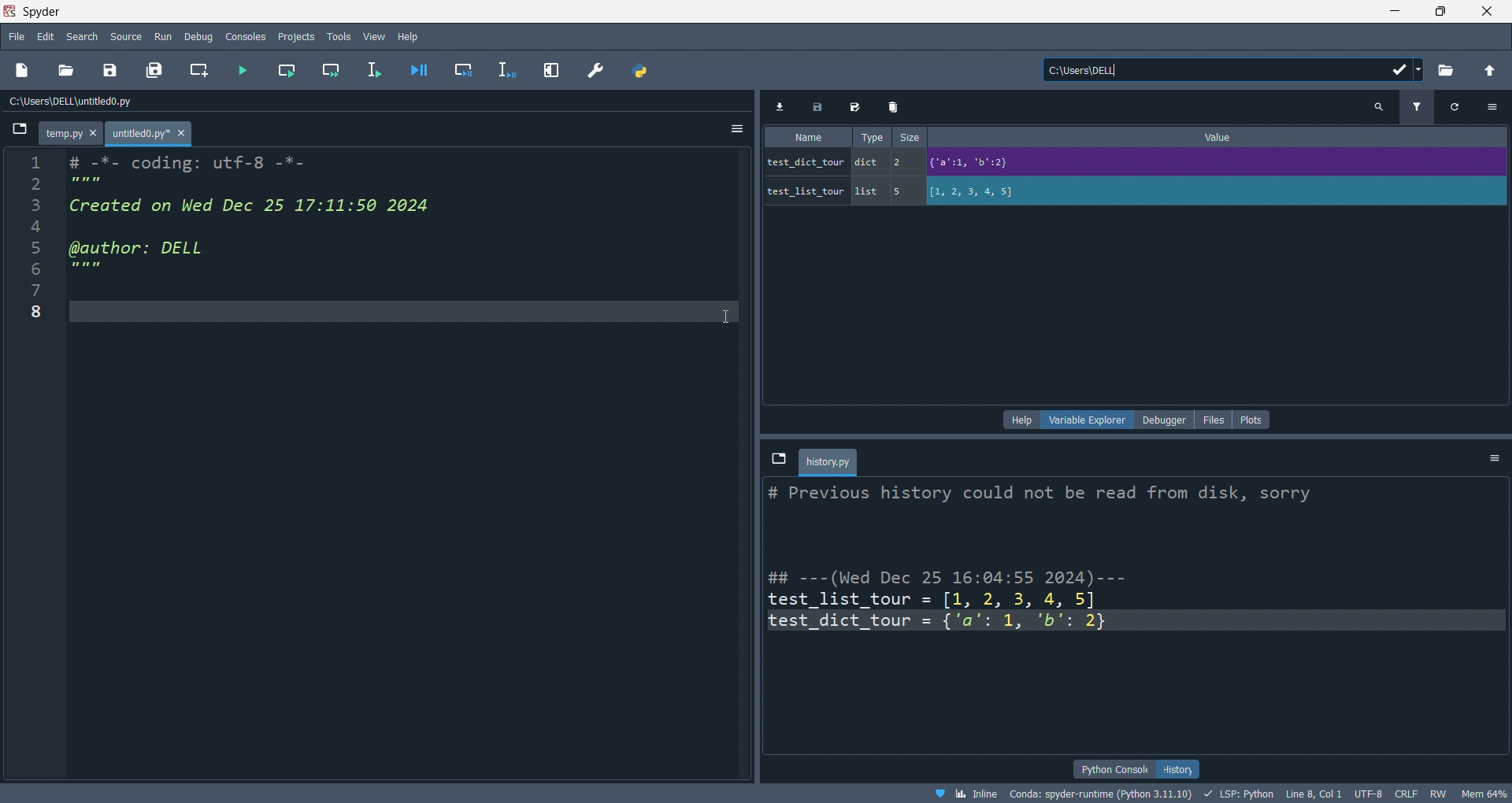 The height and width of the screenshot is (803, 1512). I want to click on save as, so click(857, 109).